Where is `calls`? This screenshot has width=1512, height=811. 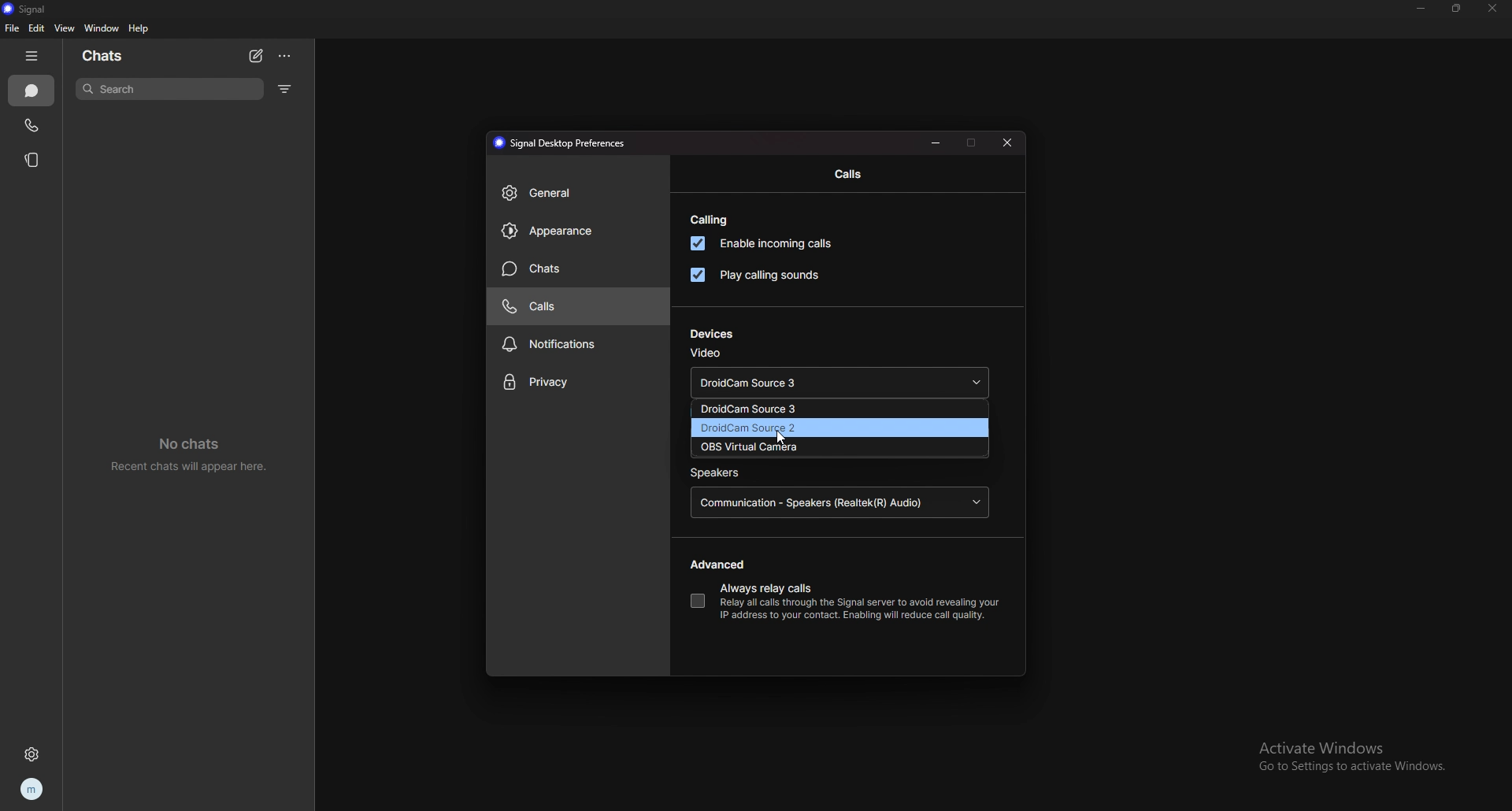 calls is located at coordinates (32, 124).